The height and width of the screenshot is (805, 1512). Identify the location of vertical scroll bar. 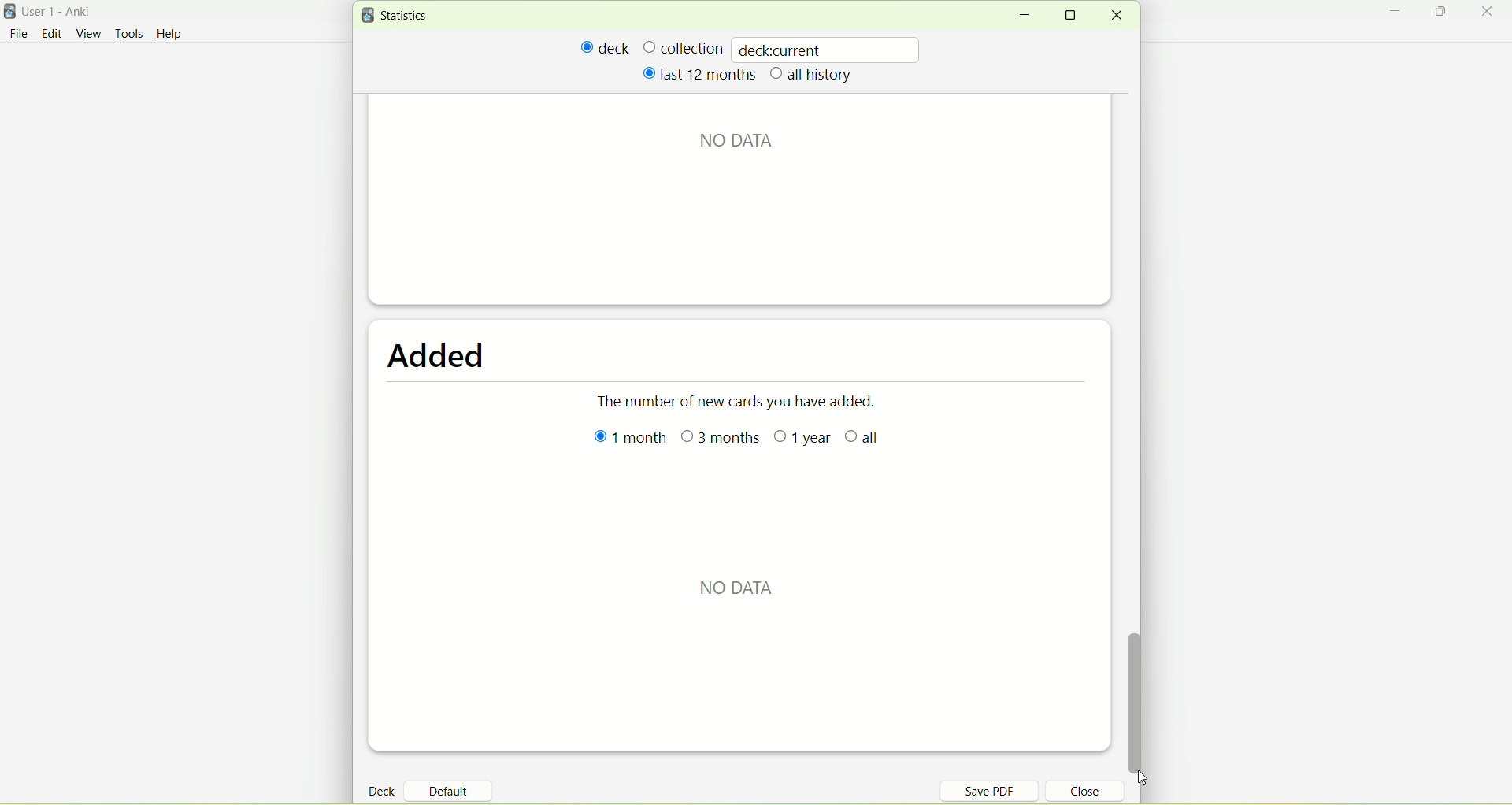
(1142, 703).